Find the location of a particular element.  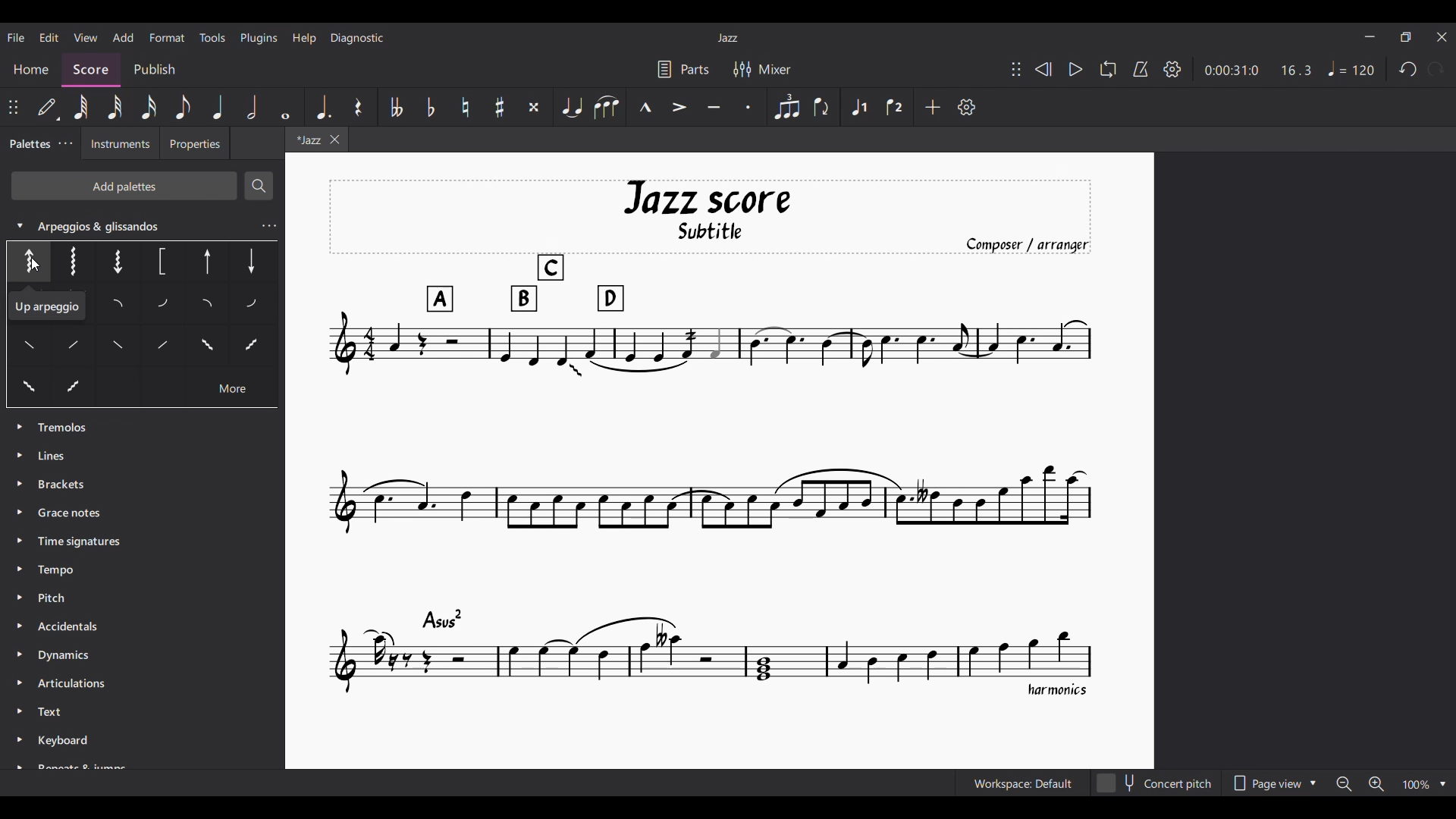

Zoom options is located at coordinates (1392, 783).